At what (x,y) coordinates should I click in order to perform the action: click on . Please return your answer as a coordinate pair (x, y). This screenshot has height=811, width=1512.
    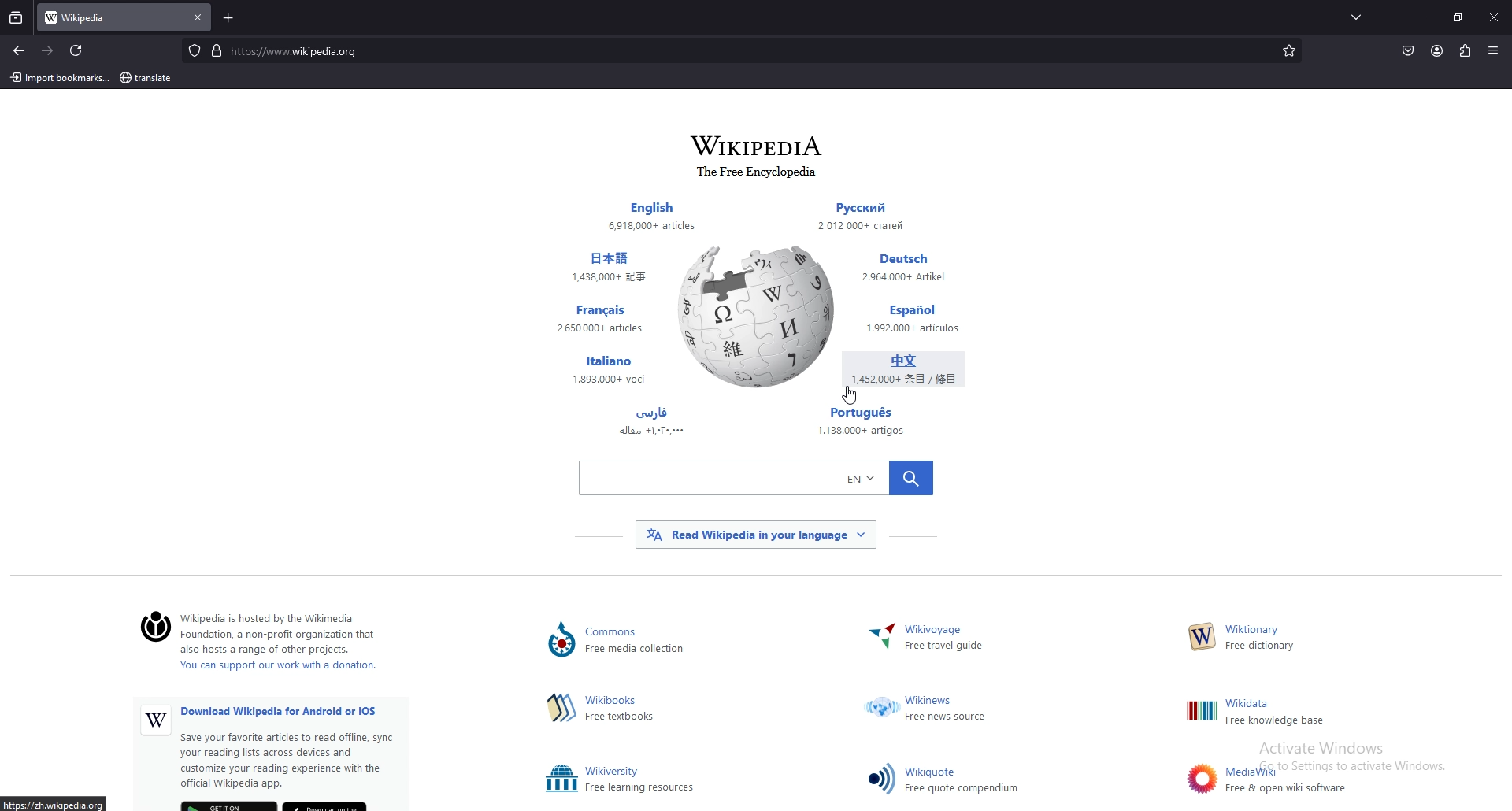
    Looking at the image, I should click on (947, 709).